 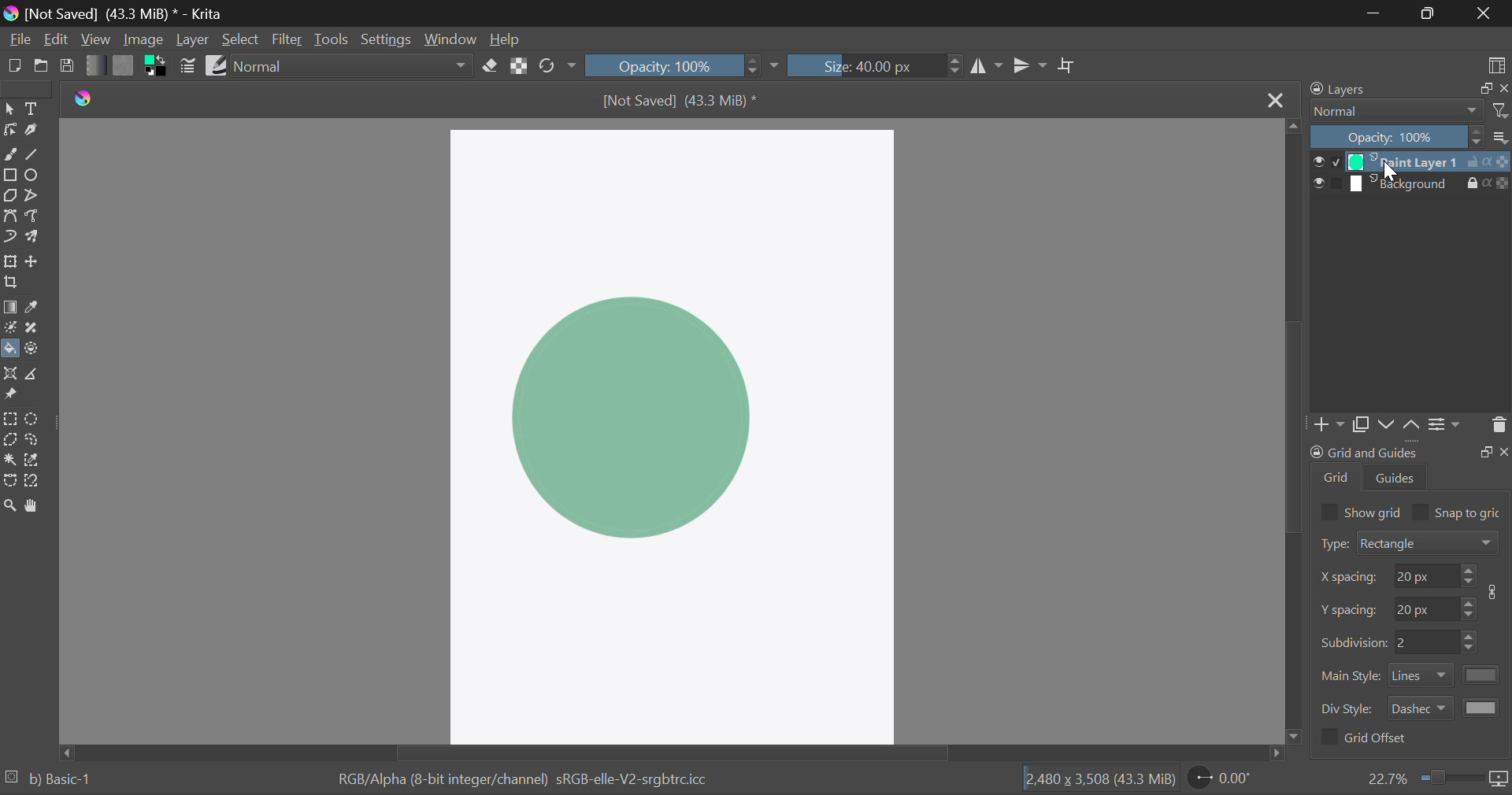 What do you see at coordinates (10, 238) in the screenshot?
I see `Dynamic Brush` at bounding box center [10, 238].